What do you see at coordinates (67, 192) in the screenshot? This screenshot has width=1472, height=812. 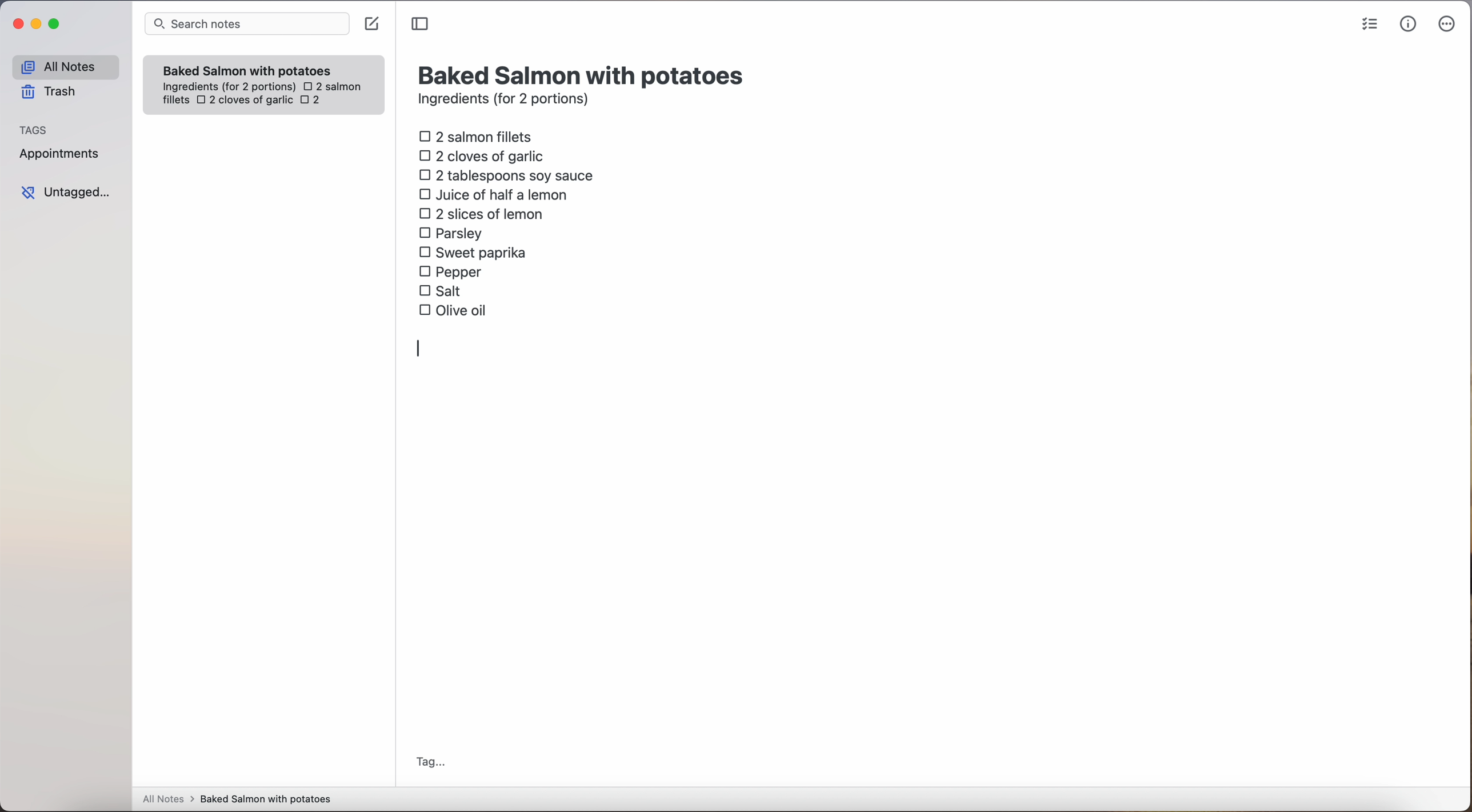 I see `untagged` at bounding box center [67, 192].